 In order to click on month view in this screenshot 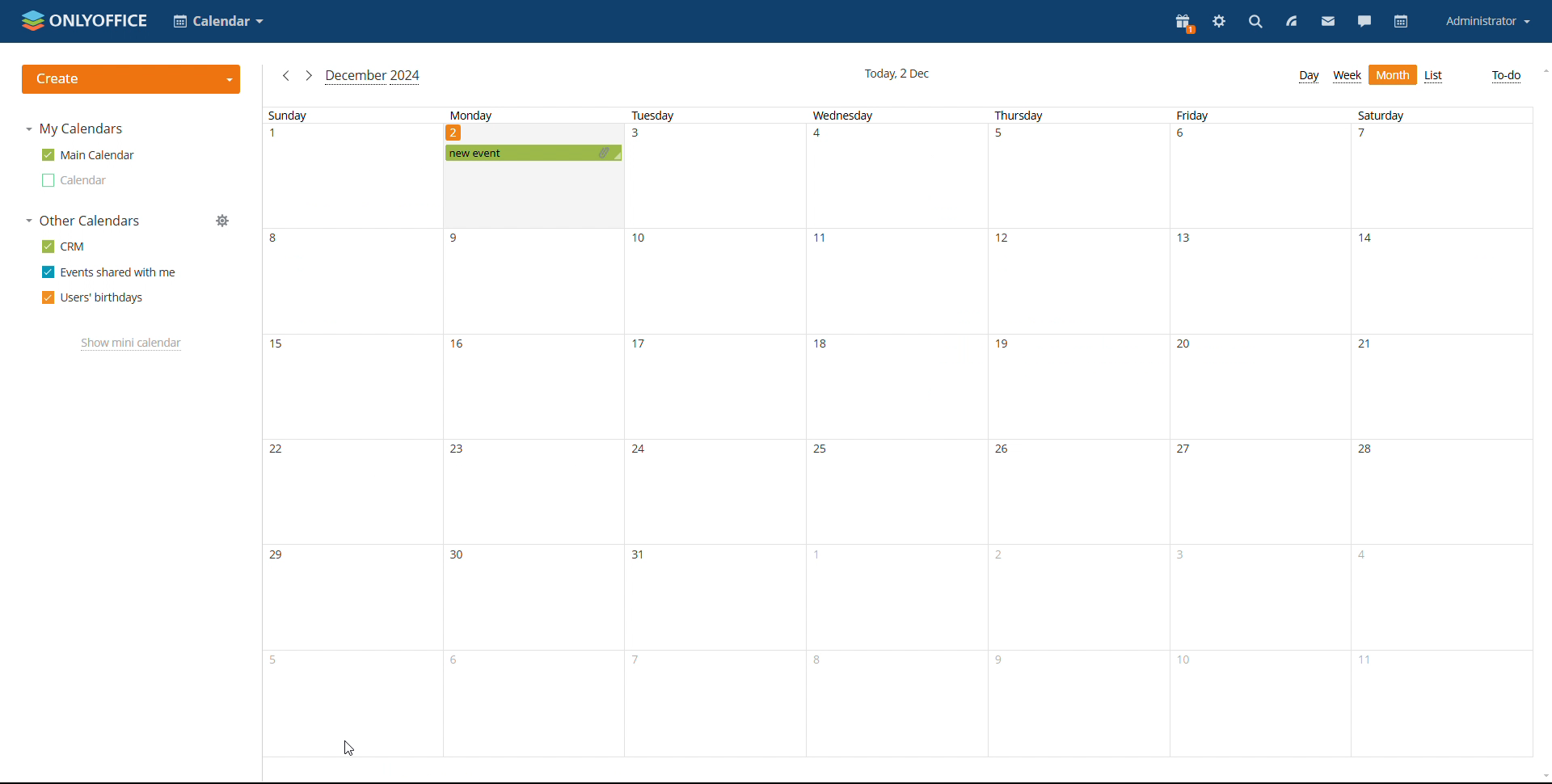, I will do `click(1393, 75)`.